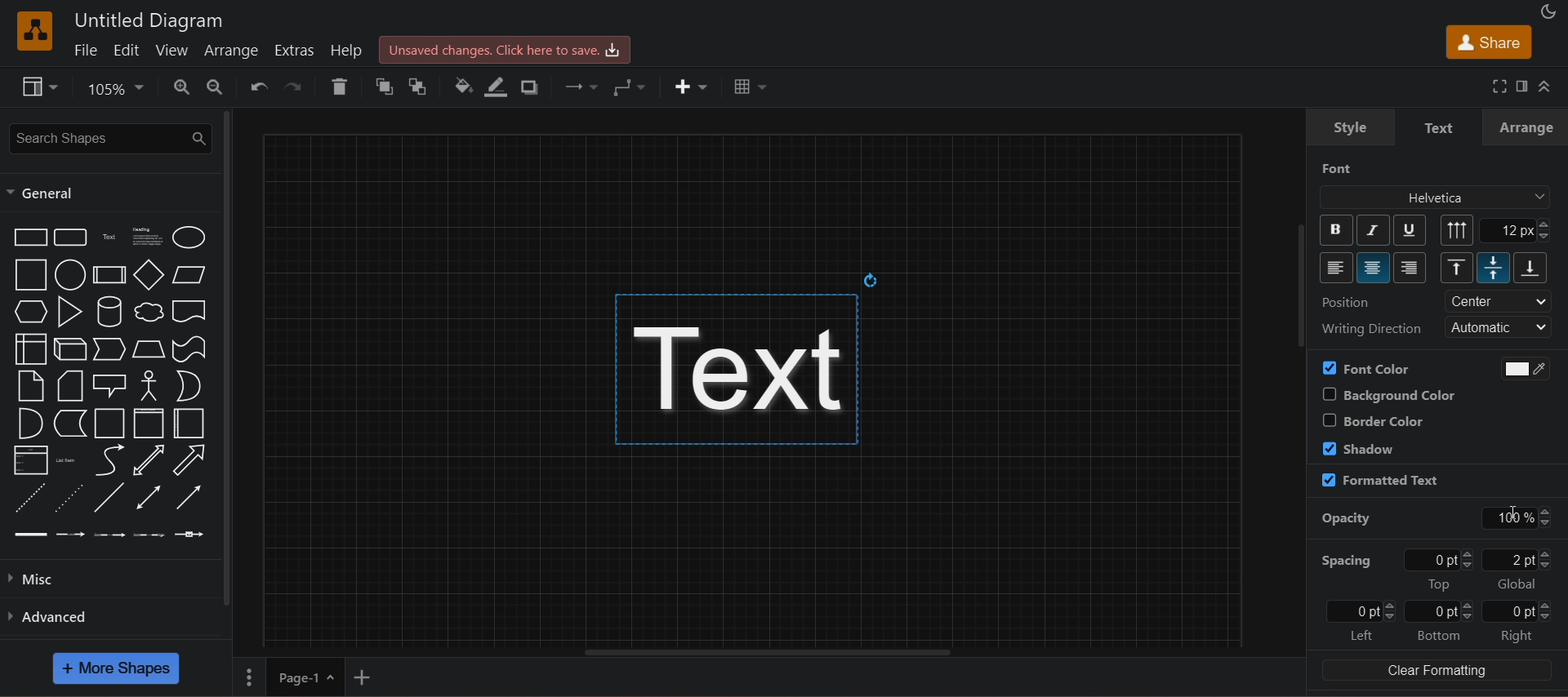 Image resolution: width=1568 pixels, height=697 pixels. I want to click on 12px, so click(1517, 230).